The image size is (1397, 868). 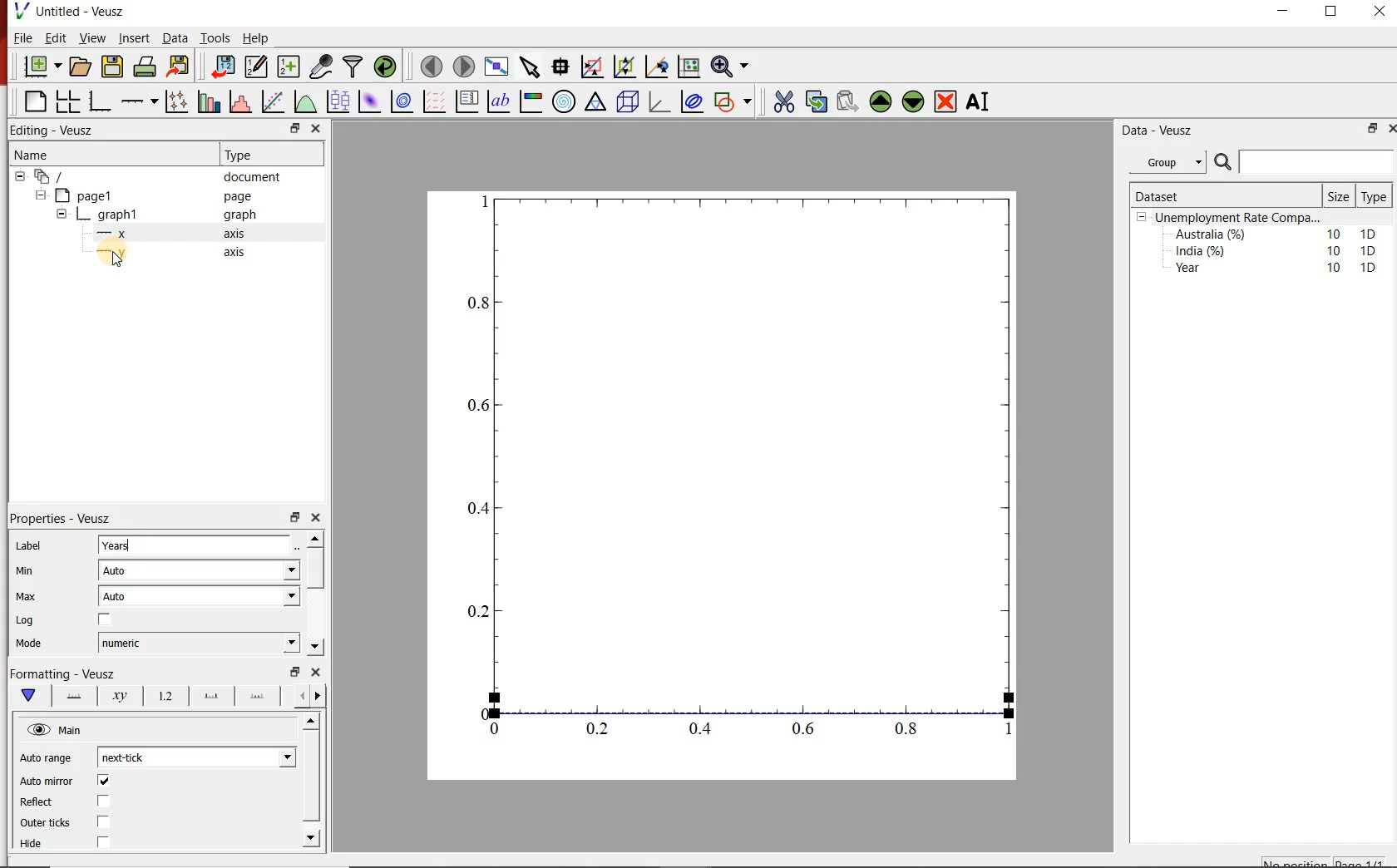 I want to click on Name, so click(x=105, y=153).